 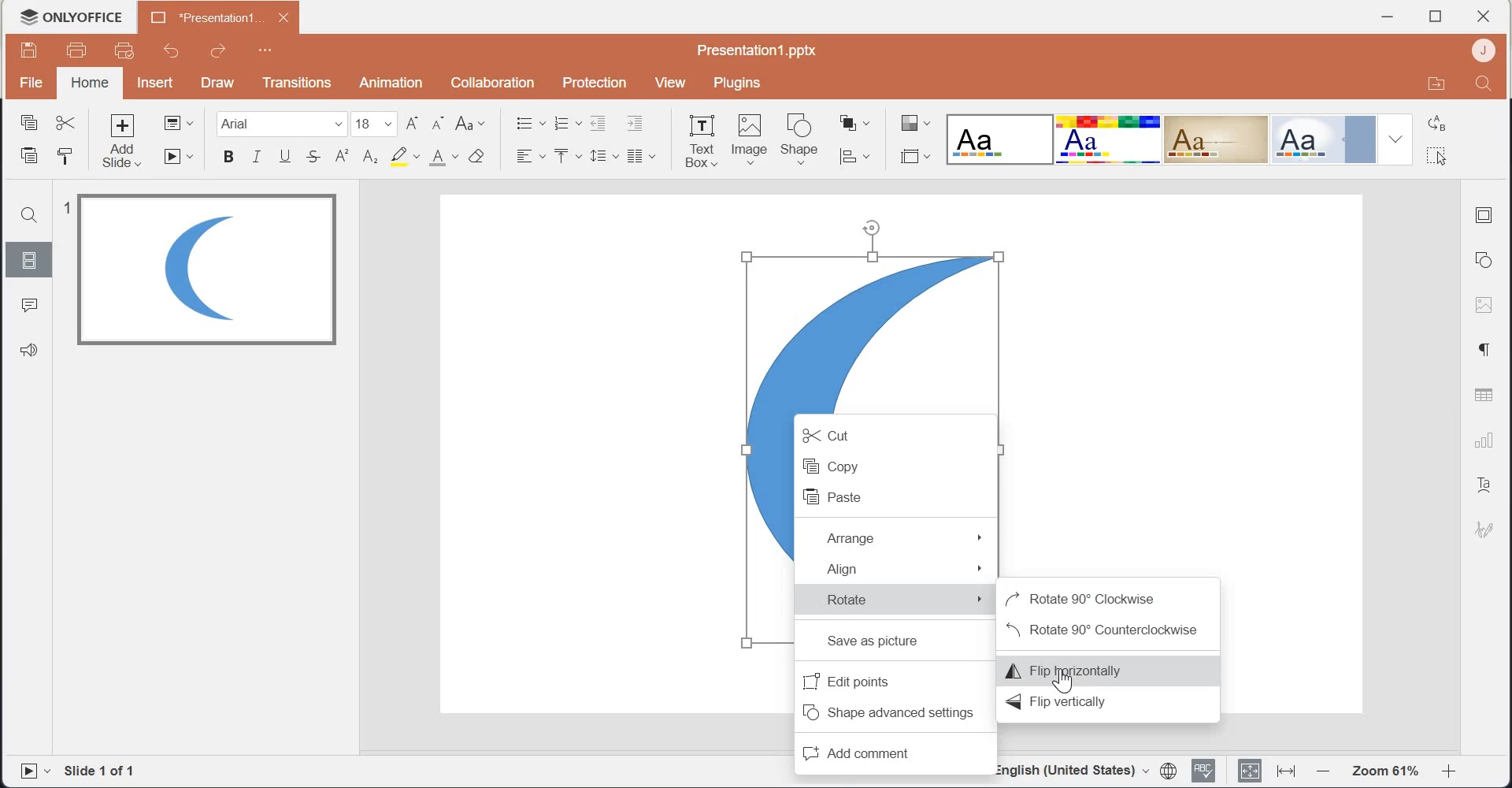 I want to click on Arrange shape, so click(x=858, y=124).